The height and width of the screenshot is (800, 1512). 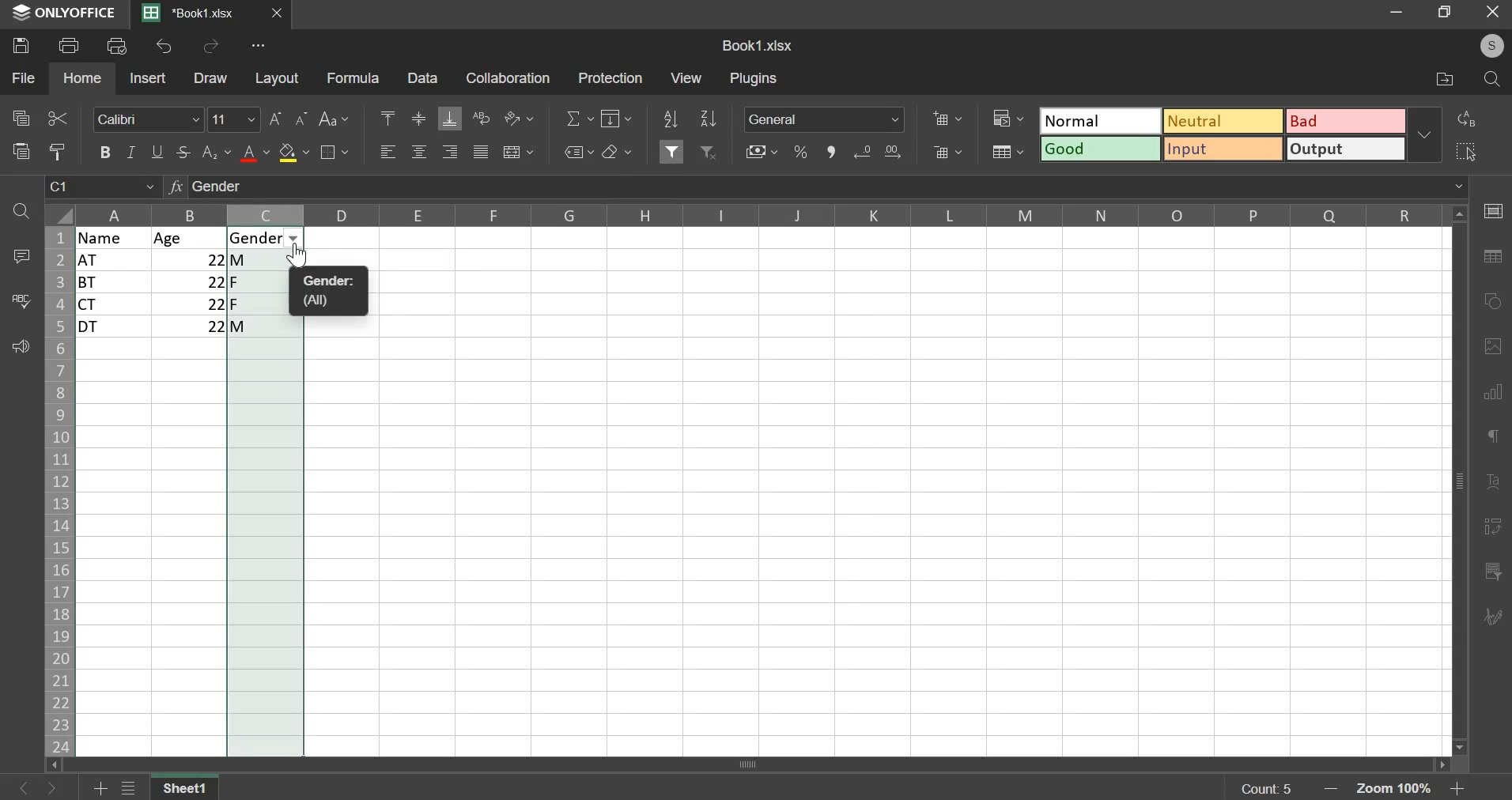 What do you see at coordinates (1468, 119) in the screenshot?
I see `replace` at bounding box center [1468, 119].